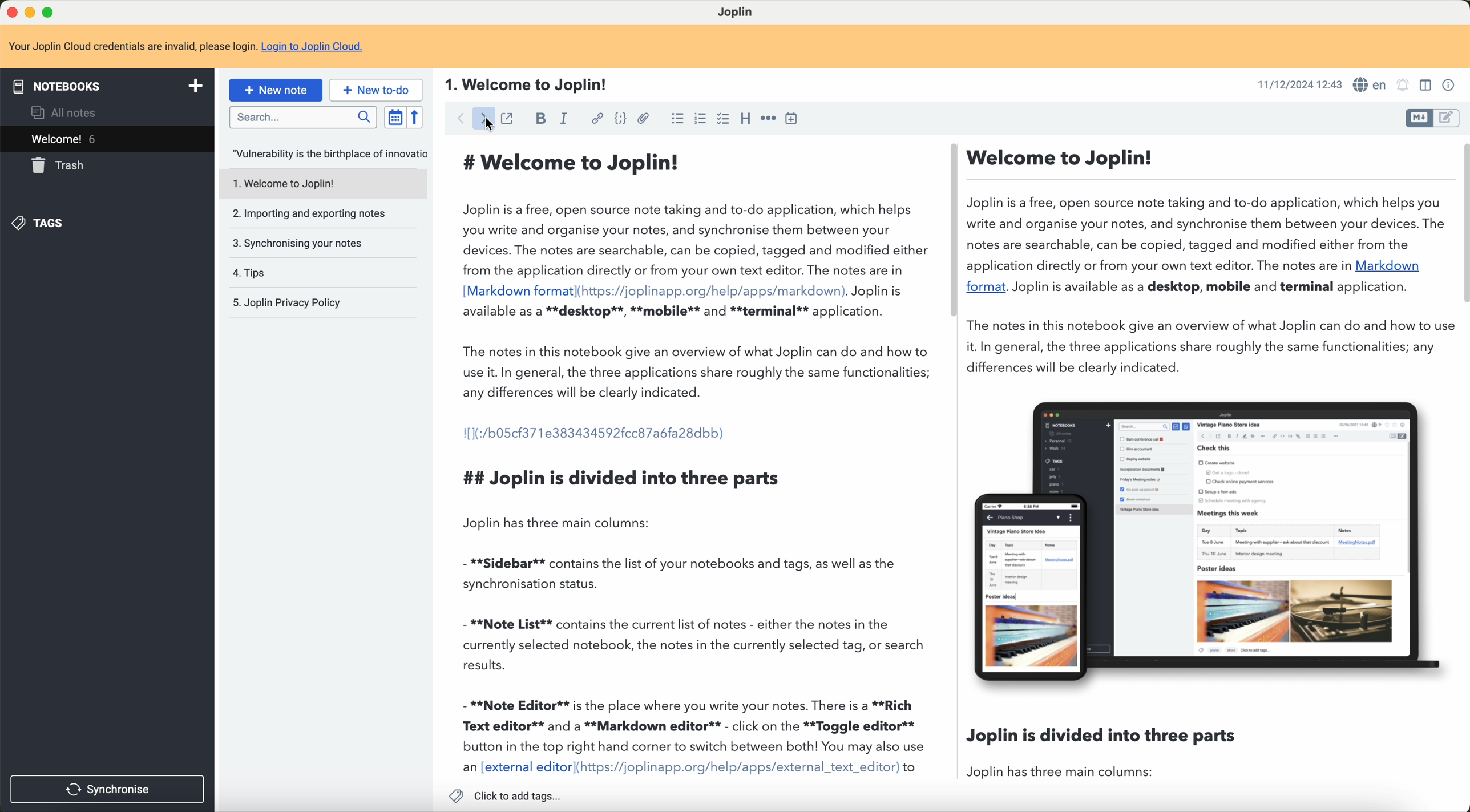  I want to click on foward, so click(488, 124).